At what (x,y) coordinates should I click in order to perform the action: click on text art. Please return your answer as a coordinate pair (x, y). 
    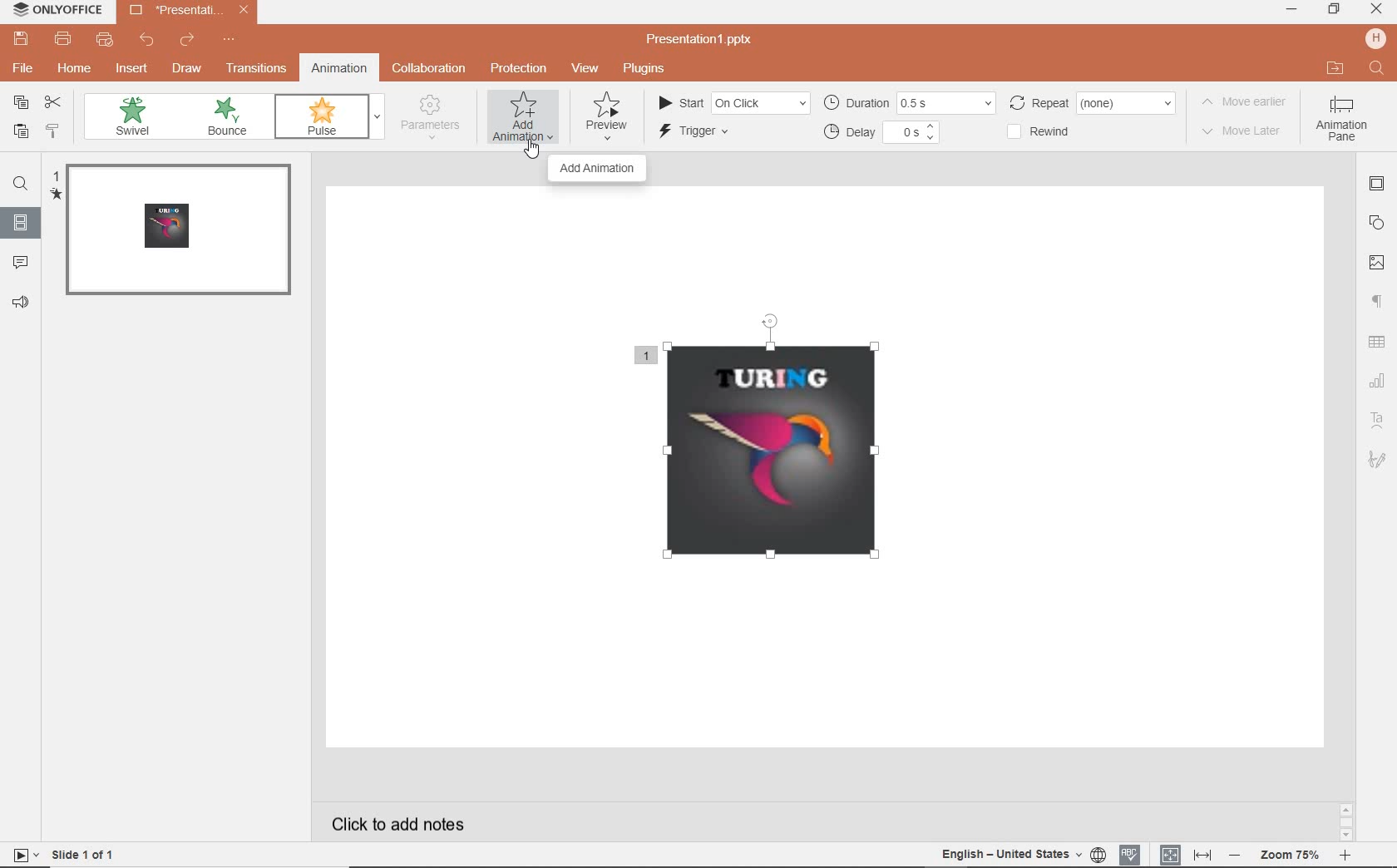
    Looking at the image, I should click on (1379, 421).